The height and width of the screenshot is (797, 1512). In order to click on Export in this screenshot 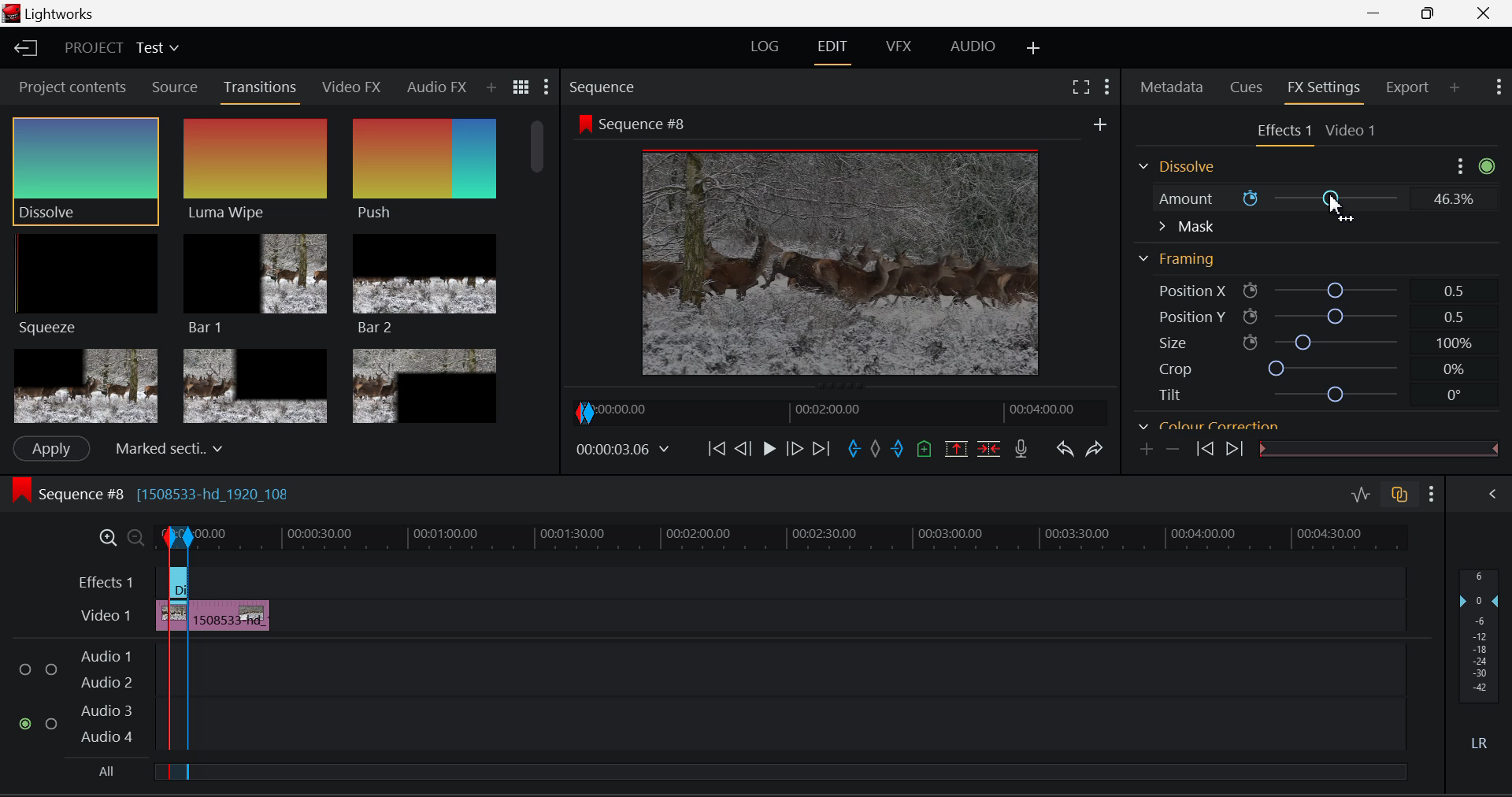, I will do `click(1411, 87)`.